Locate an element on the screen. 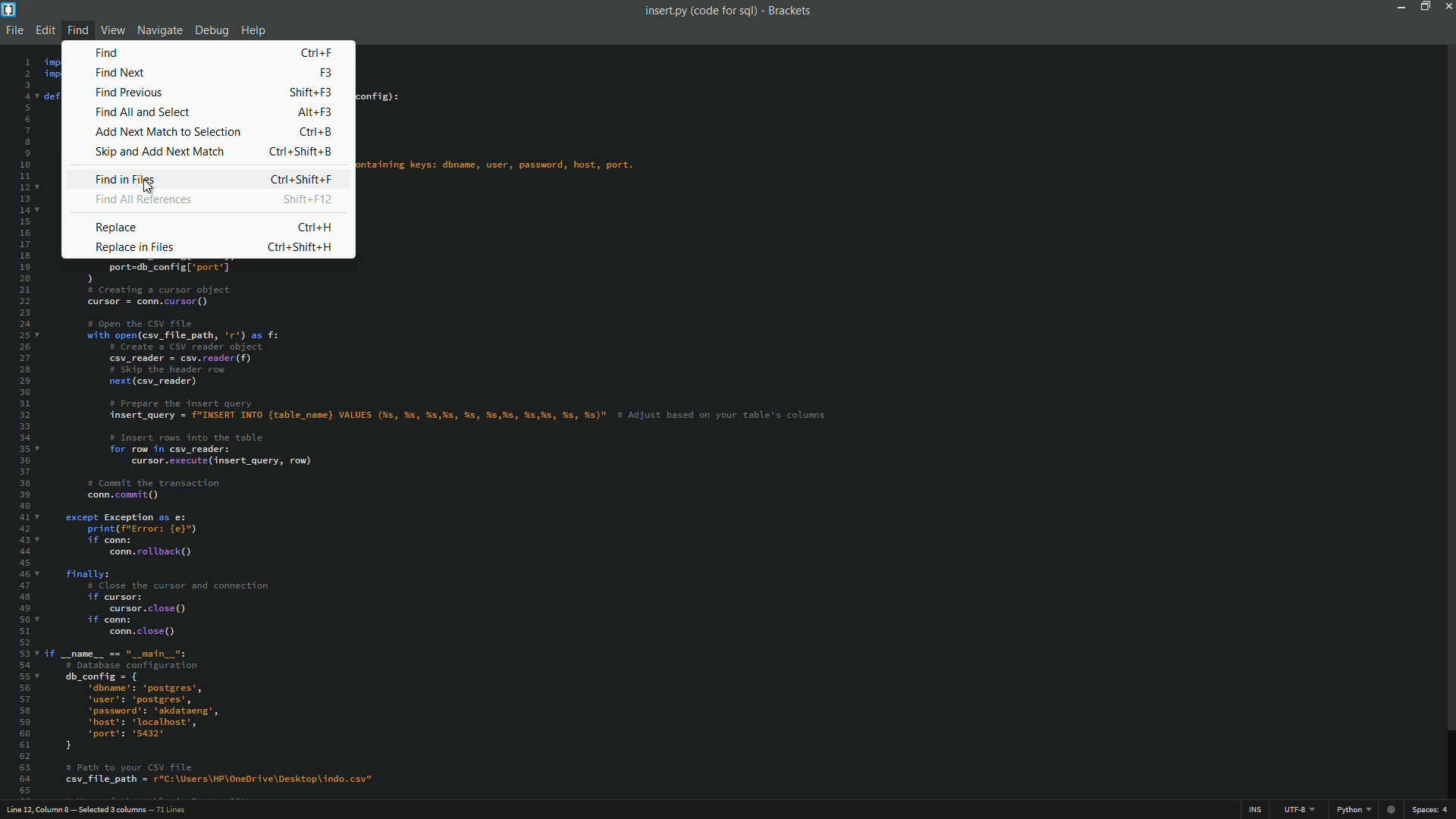  close app is located at coordinates (1447, 6).